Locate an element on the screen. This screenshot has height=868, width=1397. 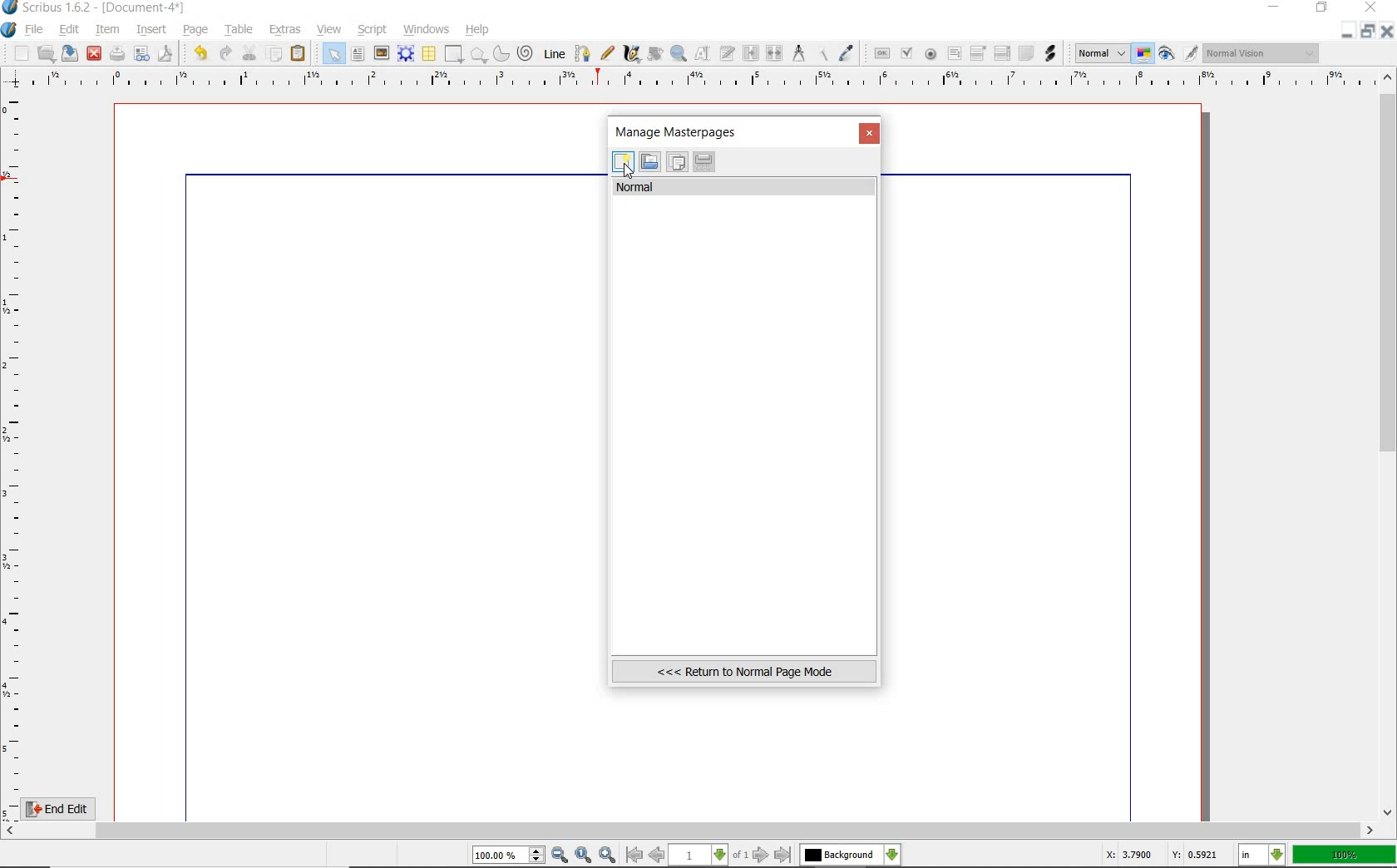
scrollbar is located at coordinates (690, 831).